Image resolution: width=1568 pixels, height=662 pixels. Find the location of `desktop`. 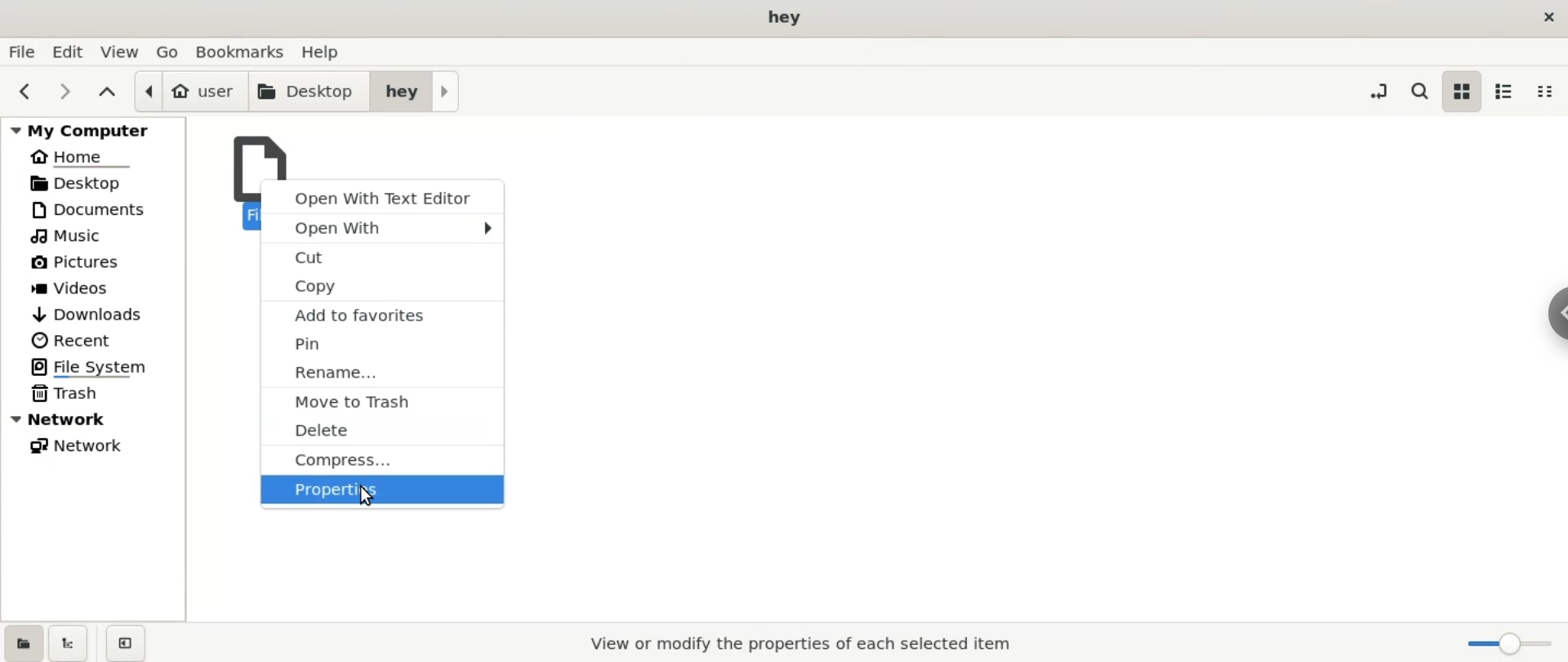

desktop is located at coordinates (310, 92).